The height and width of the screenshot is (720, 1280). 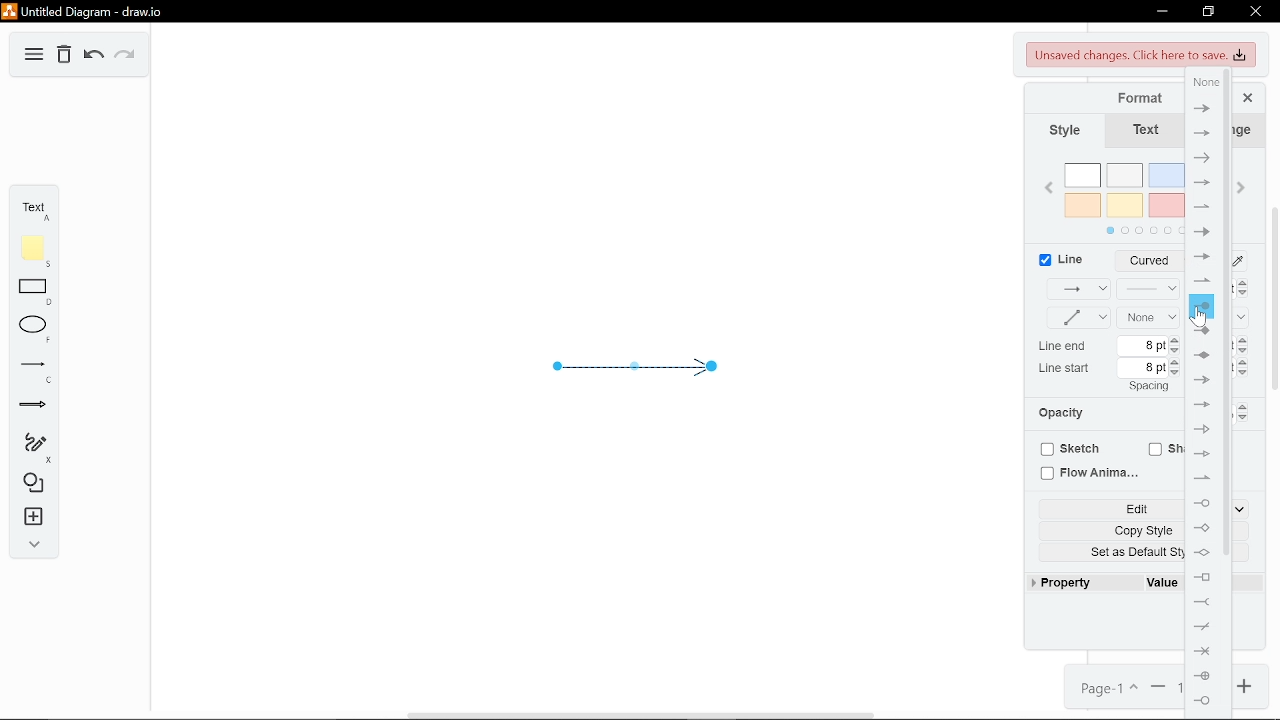 I want to click on Waypoints, so click(x=1071, y=318).